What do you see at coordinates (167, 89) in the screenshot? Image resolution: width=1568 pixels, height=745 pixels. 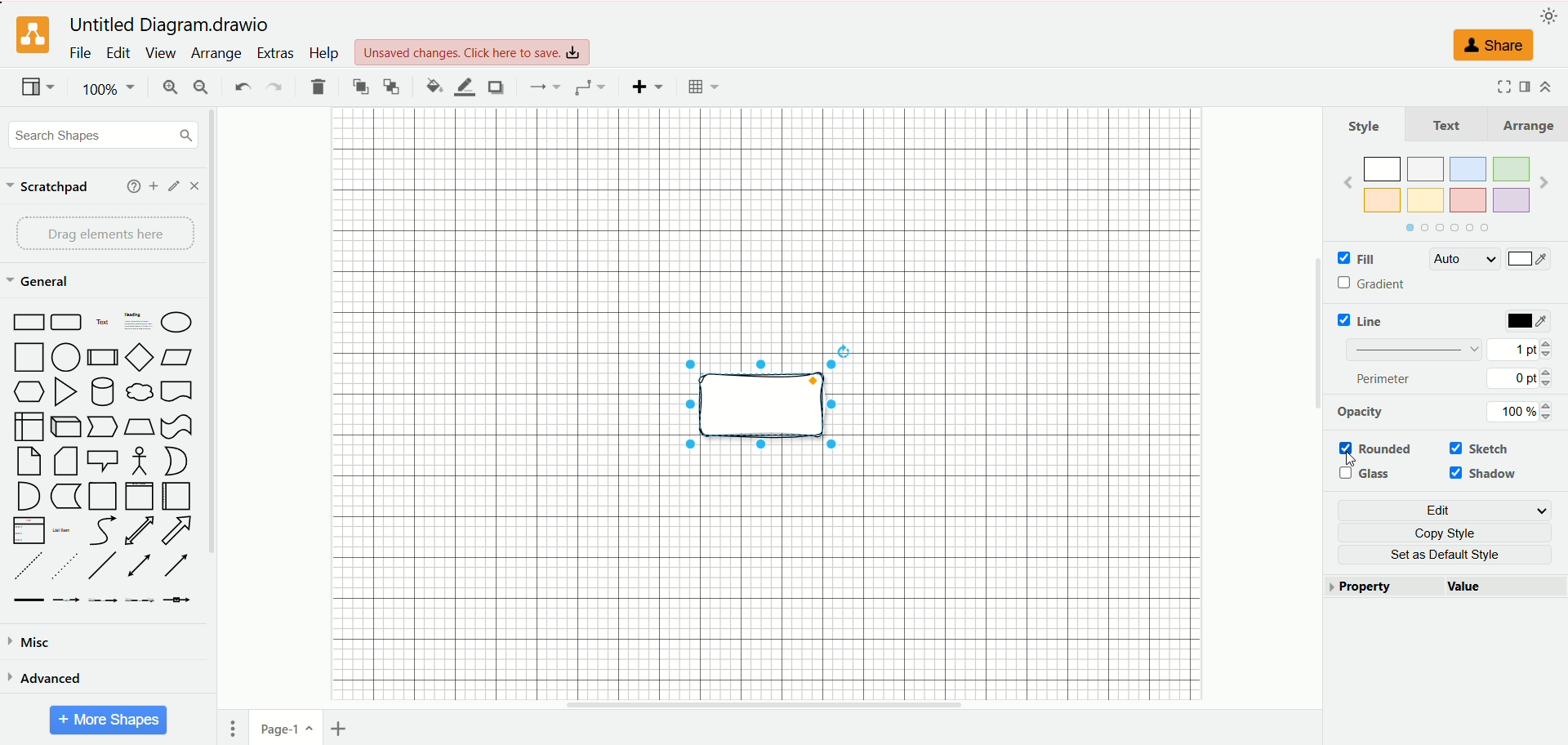 I see `zoom in` at bounding box center [167, 89].